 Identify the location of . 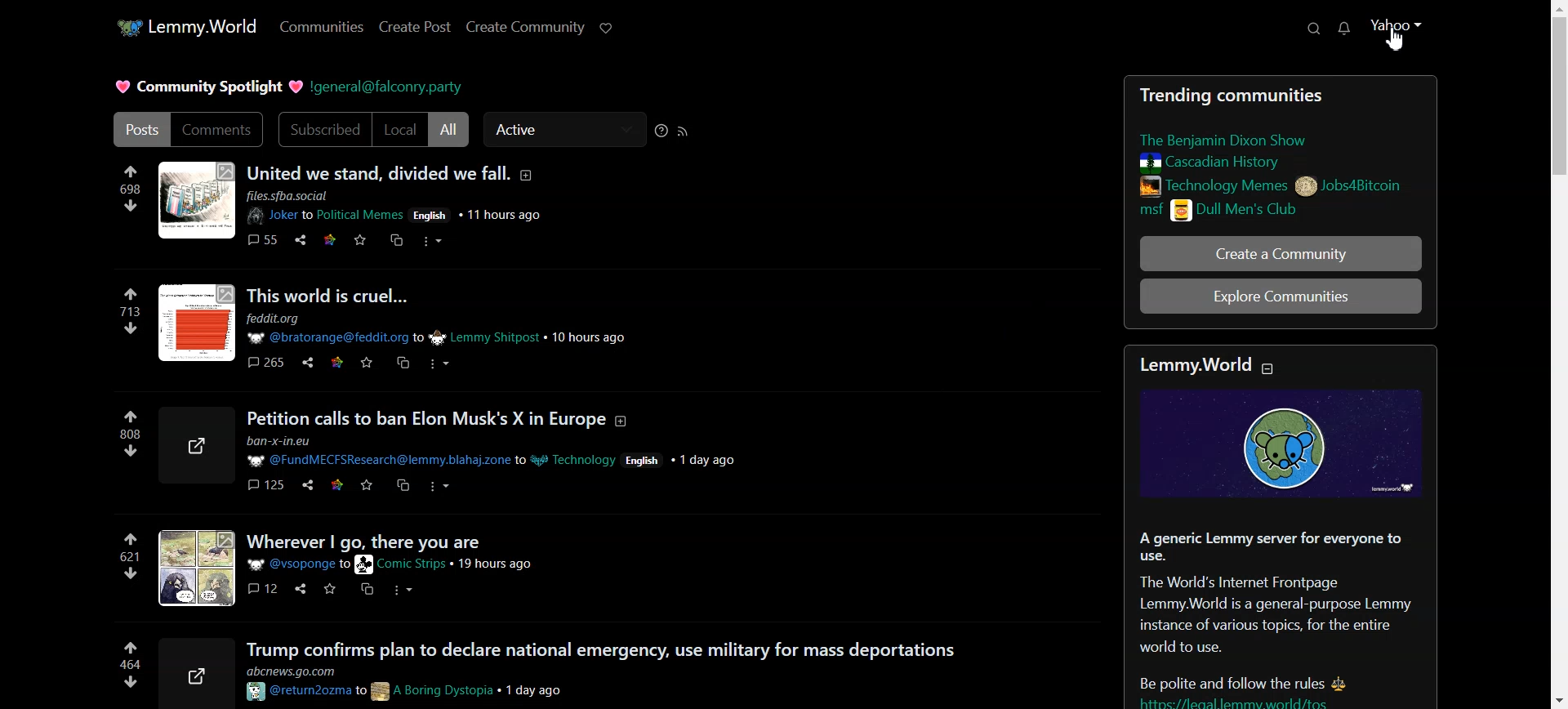
(425, 214).